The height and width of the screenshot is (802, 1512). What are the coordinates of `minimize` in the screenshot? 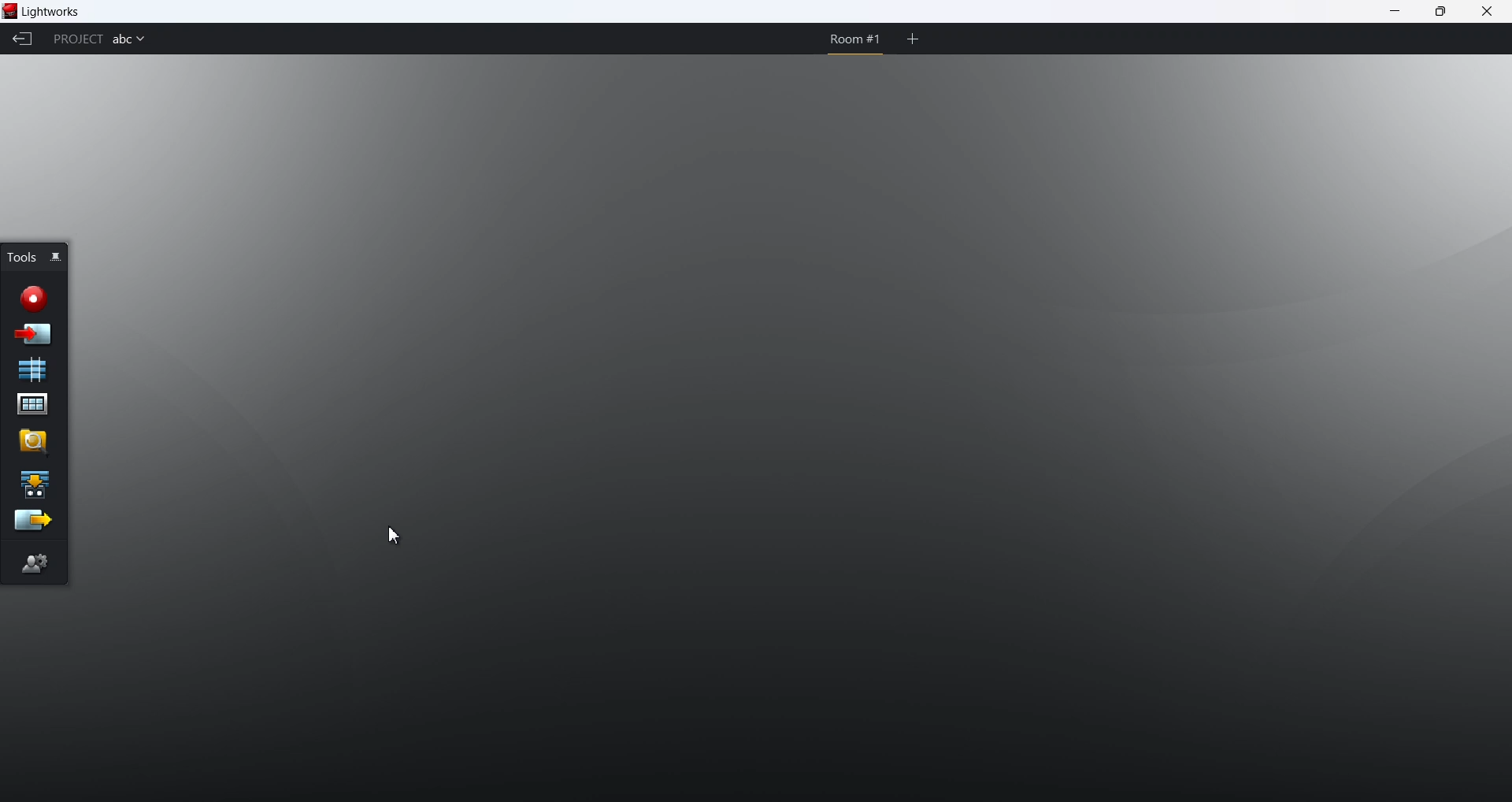 It's located at (1395, 13).